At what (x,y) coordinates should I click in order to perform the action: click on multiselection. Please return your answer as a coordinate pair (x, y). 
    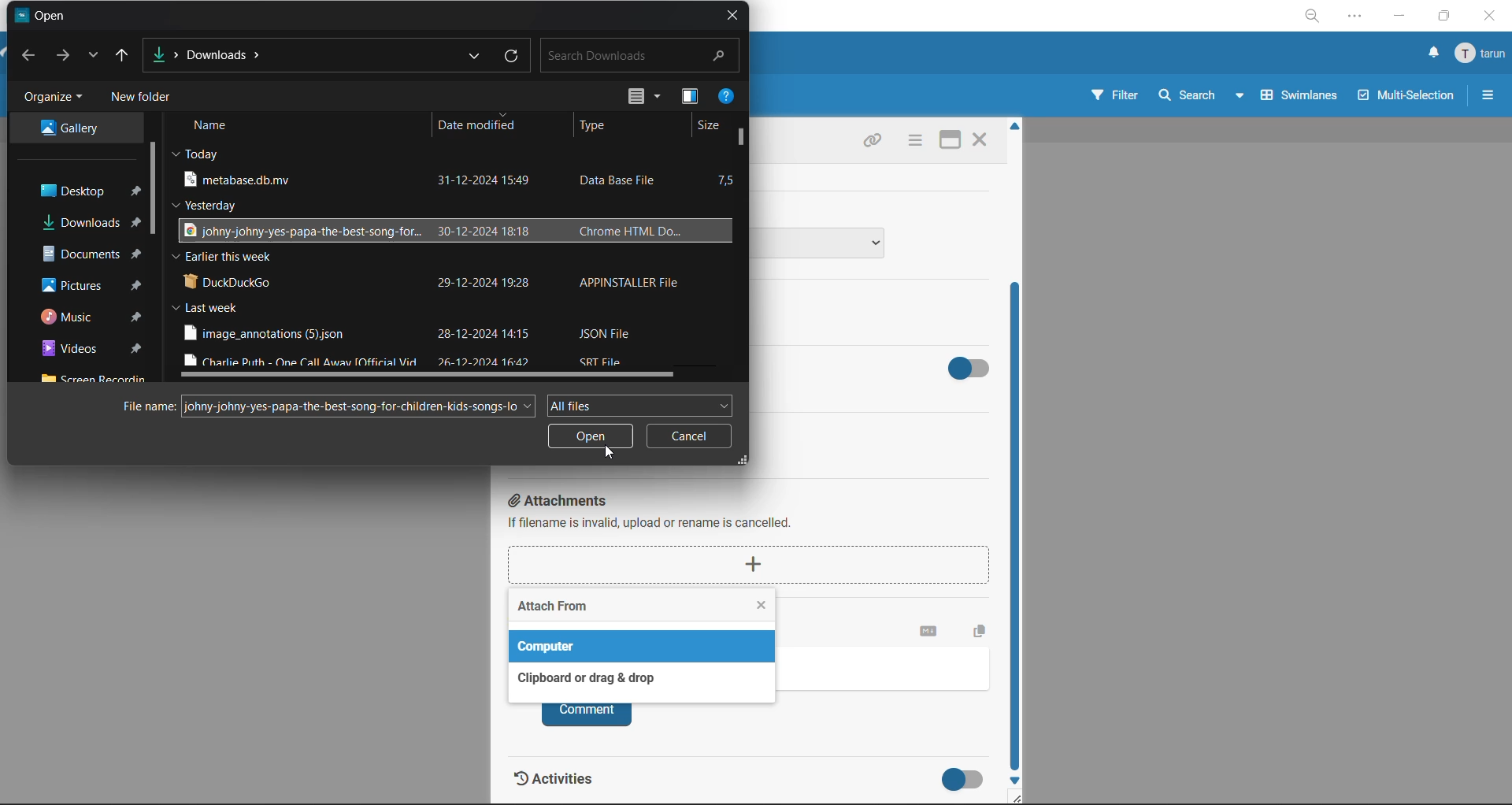
    Looking at the image, I should click on (1407, 98).